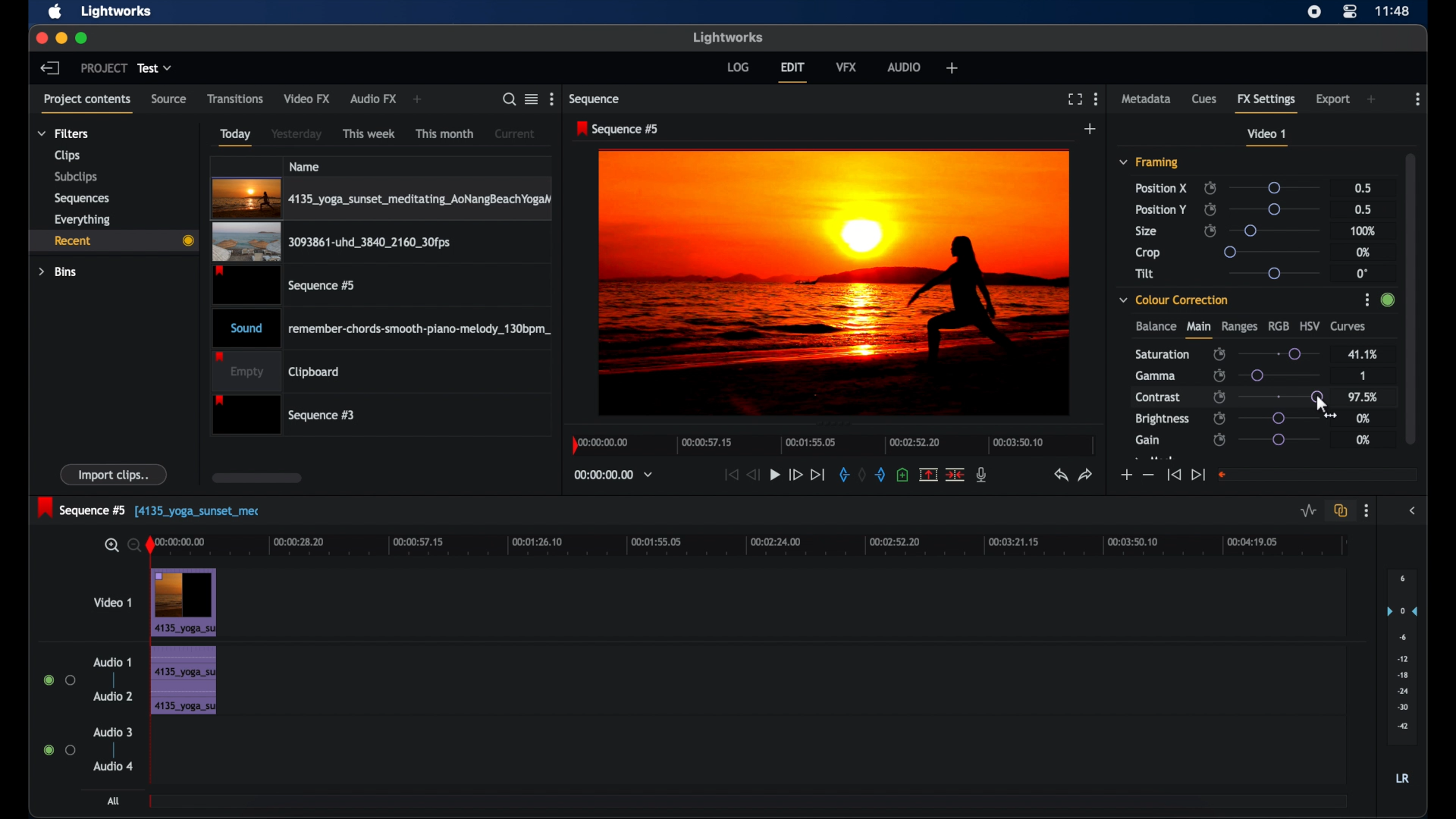 This screenshot has height=819, width=1456. Describe the element at coordinates (1155, 327) in the screenshot. I see `balance` at that location.